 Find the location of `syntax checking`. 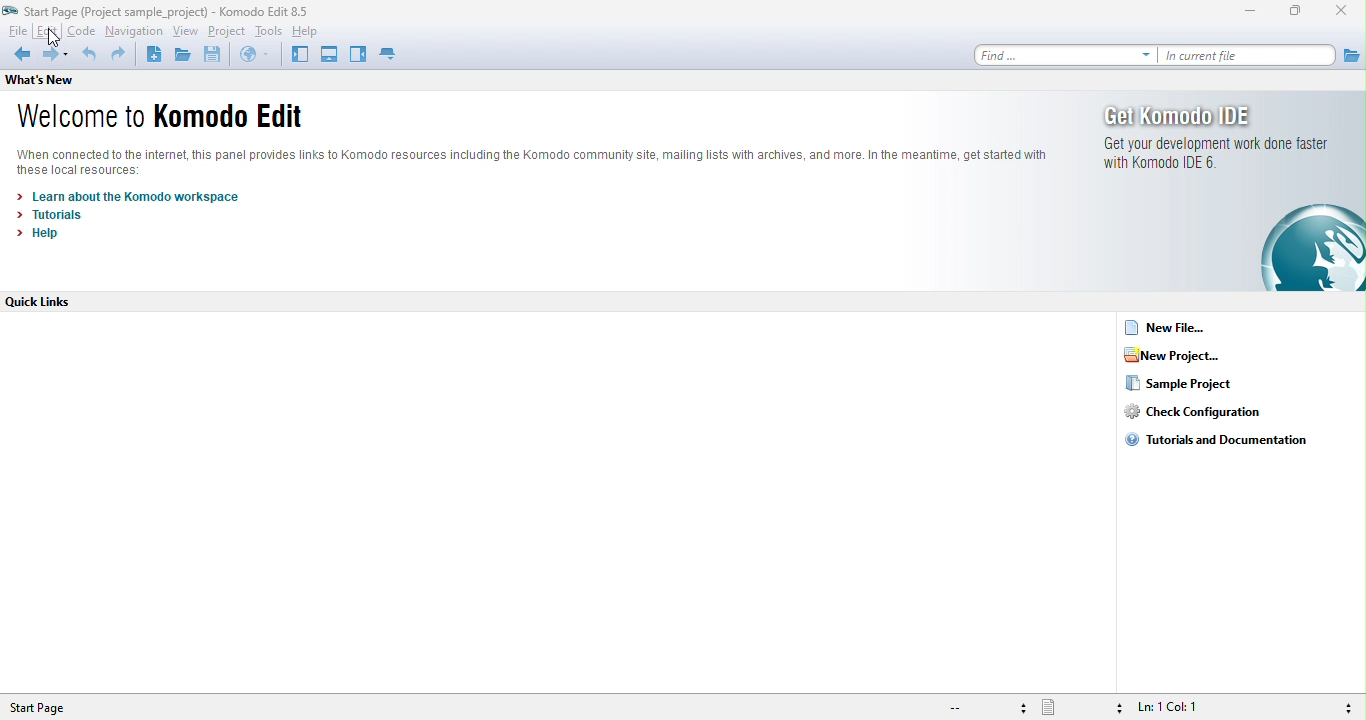

syntax checking is located at coordinates (1345, 706).